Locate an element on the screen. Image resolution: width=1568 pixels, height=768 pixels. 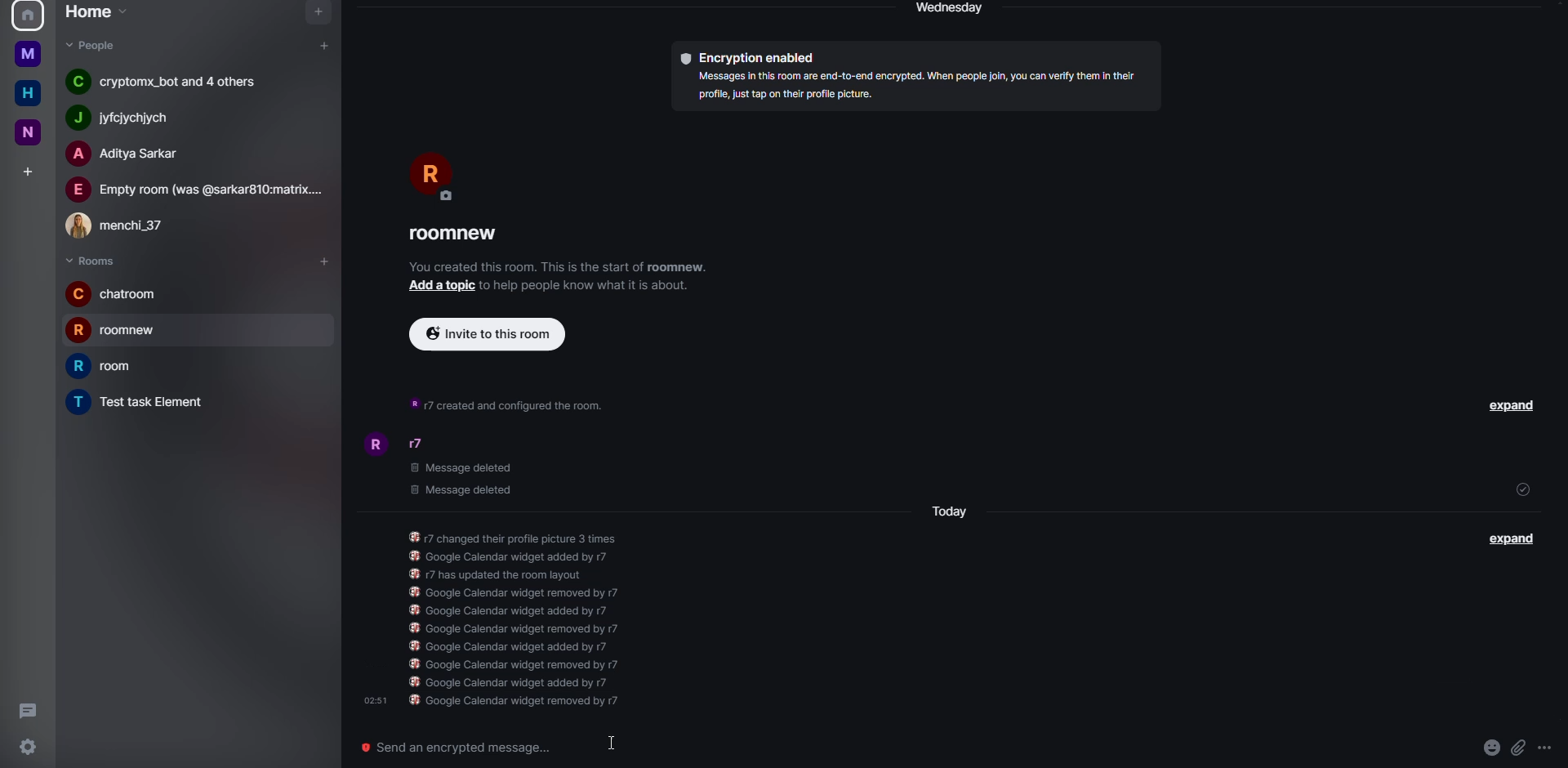
navigator is located at coordinates (316, 13).